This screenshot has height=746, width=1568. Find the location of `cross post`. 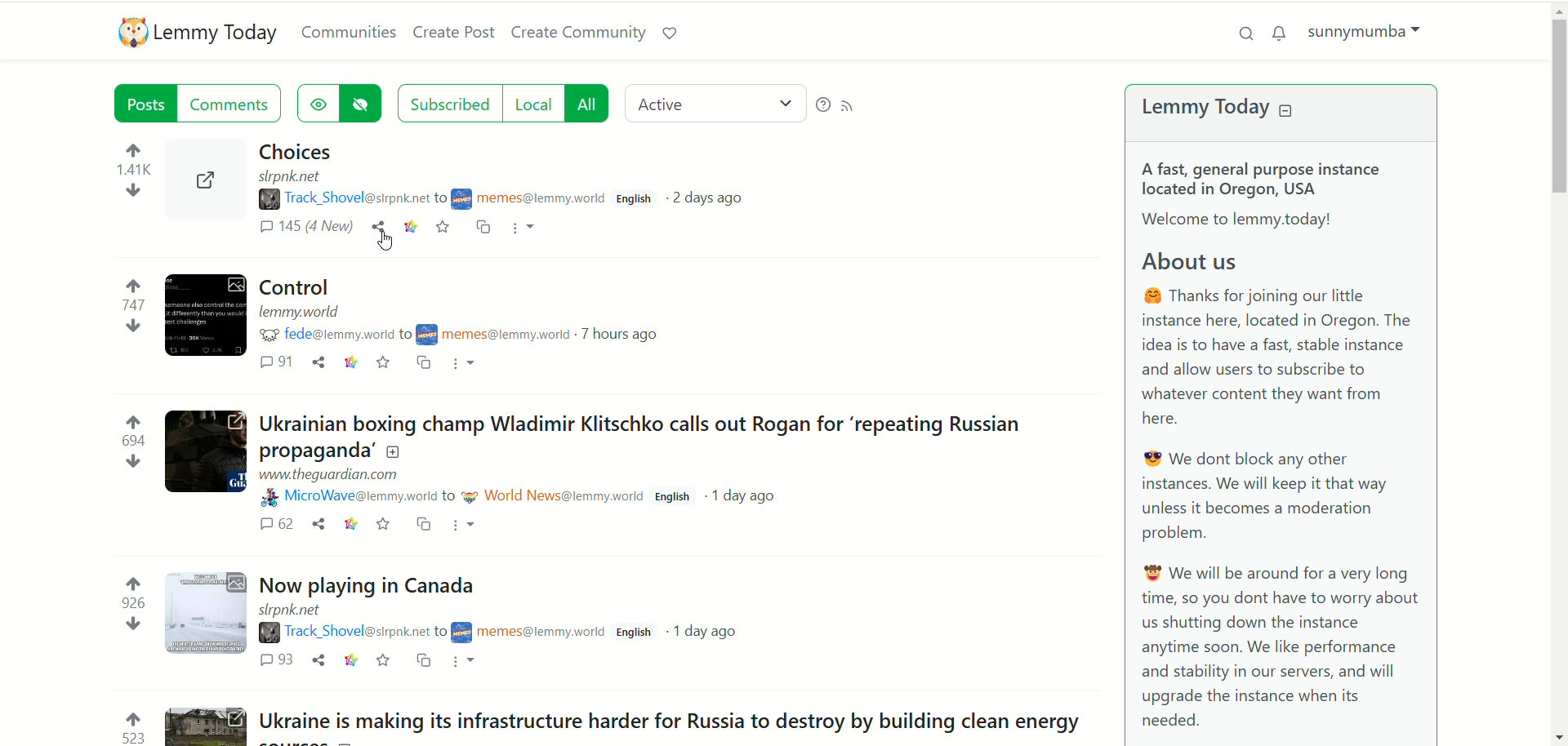

cross post is located at coordinates (424, 524).